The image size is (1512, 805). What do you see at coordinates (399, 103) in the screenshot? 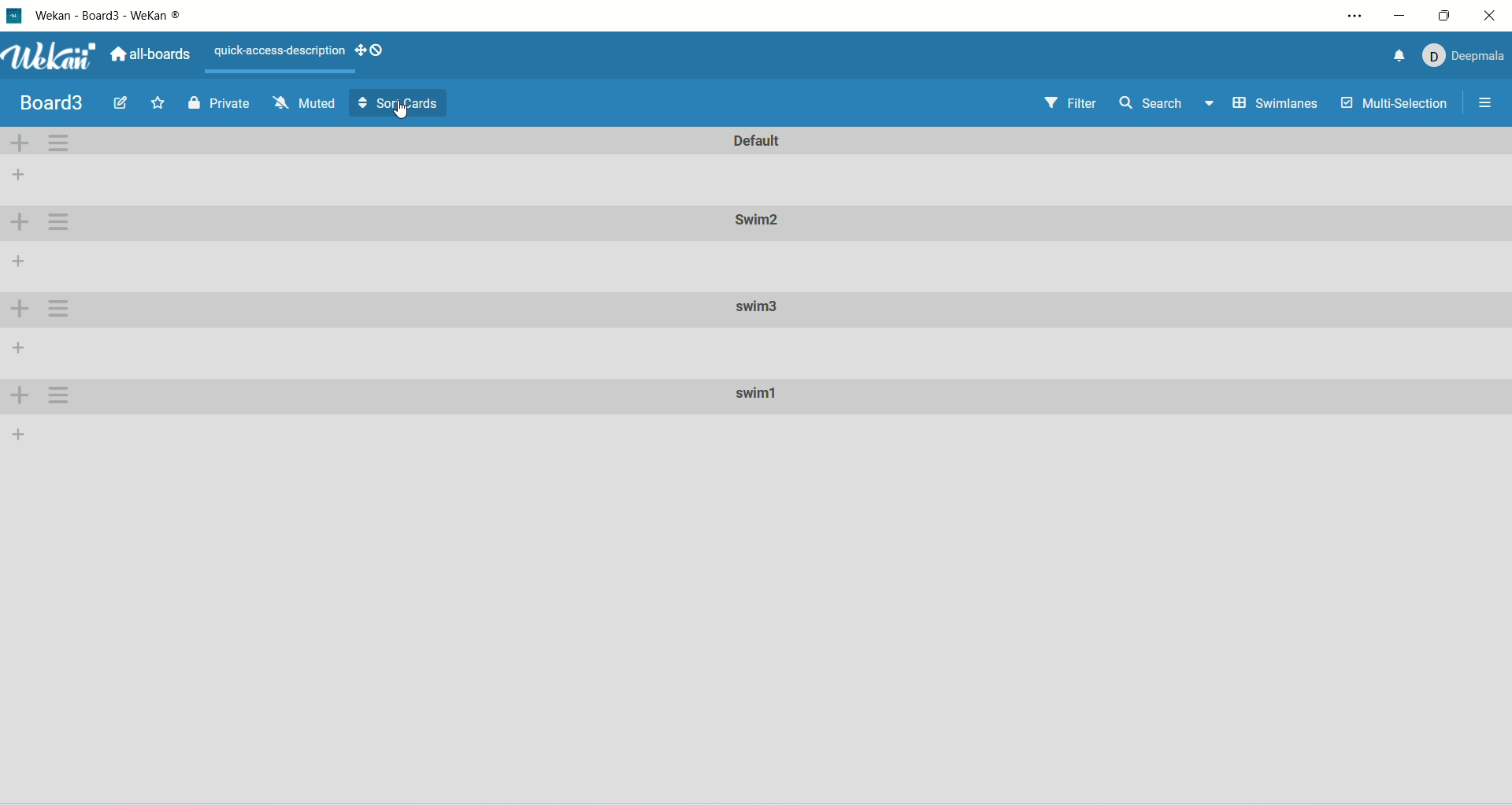
I see `sort card` at bounding box center [399, 103].